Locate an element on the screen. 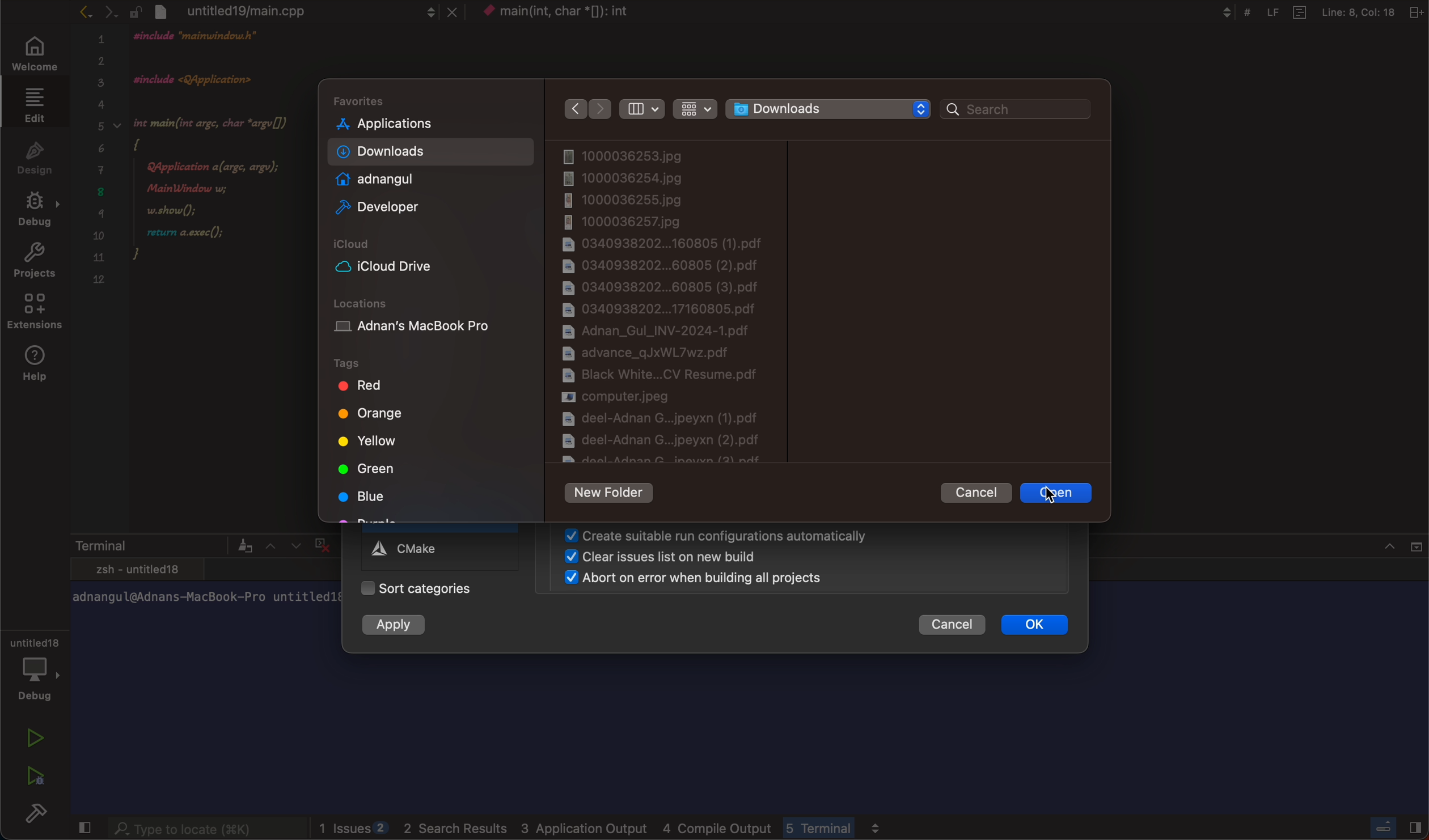 The image size is (1429, 840). clicked to select is located at coordinates (1058, 493).